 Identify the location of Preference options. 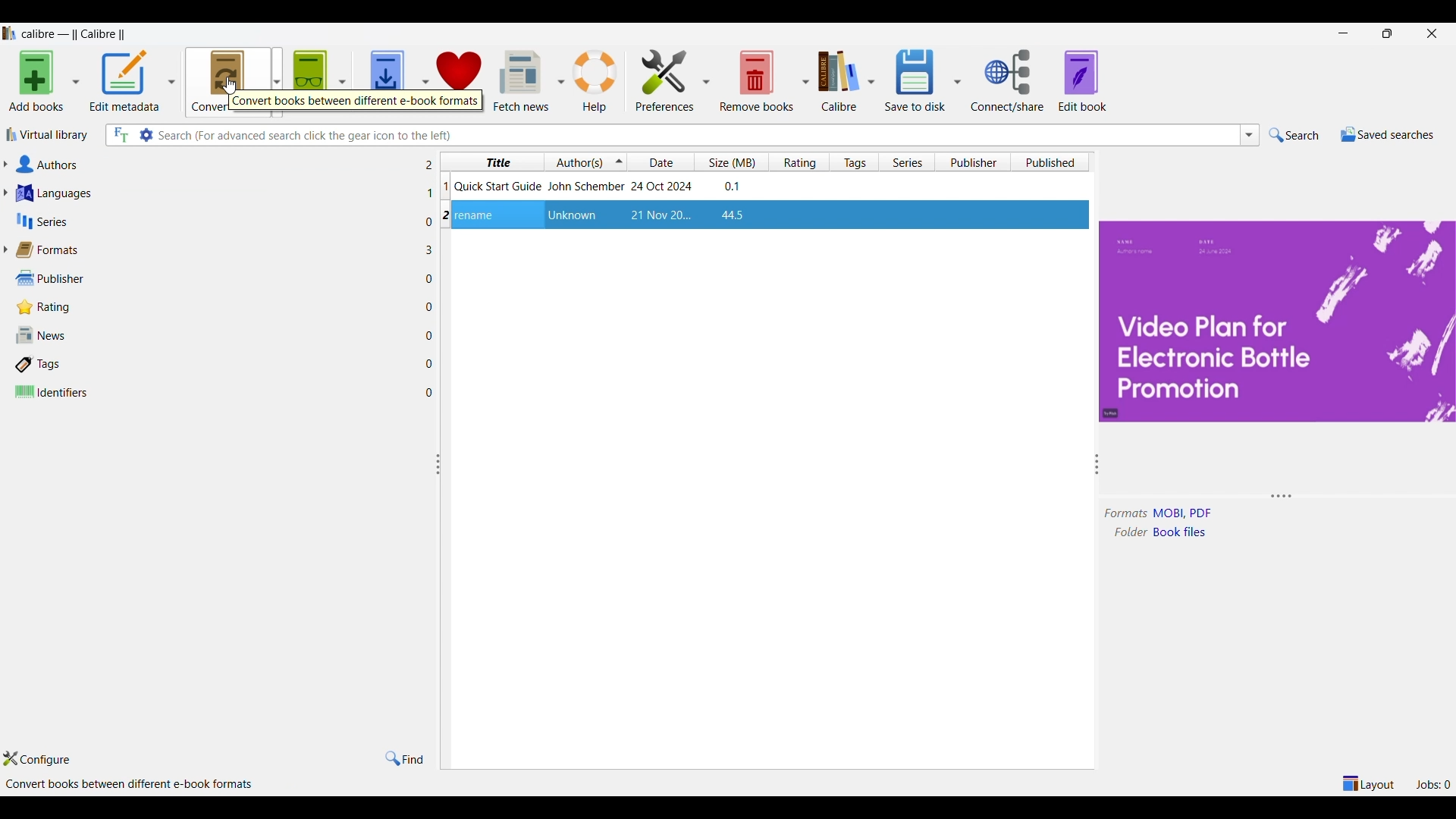
(707, 80).